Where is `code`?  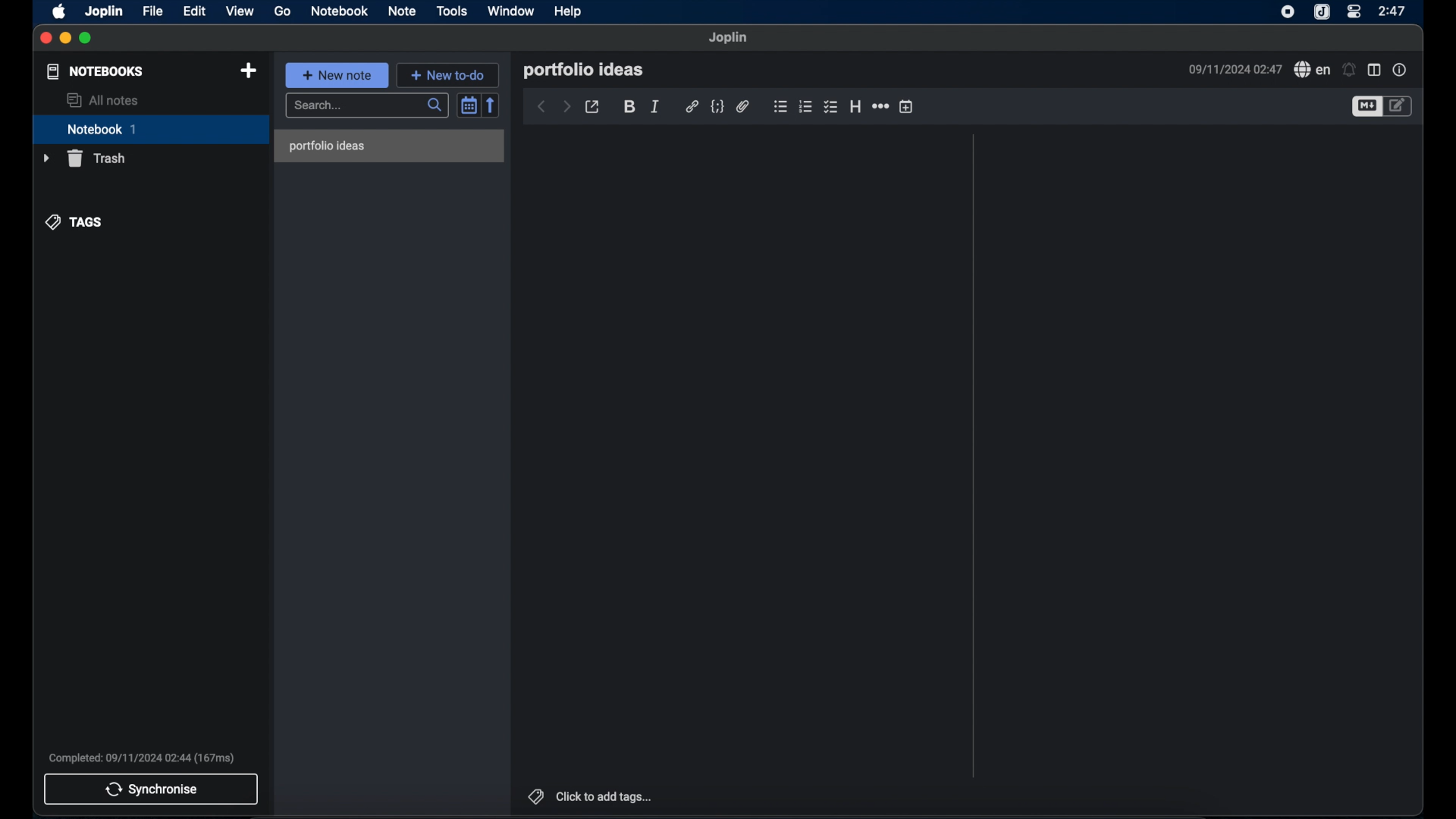 code is located at coordinates (717, 107).